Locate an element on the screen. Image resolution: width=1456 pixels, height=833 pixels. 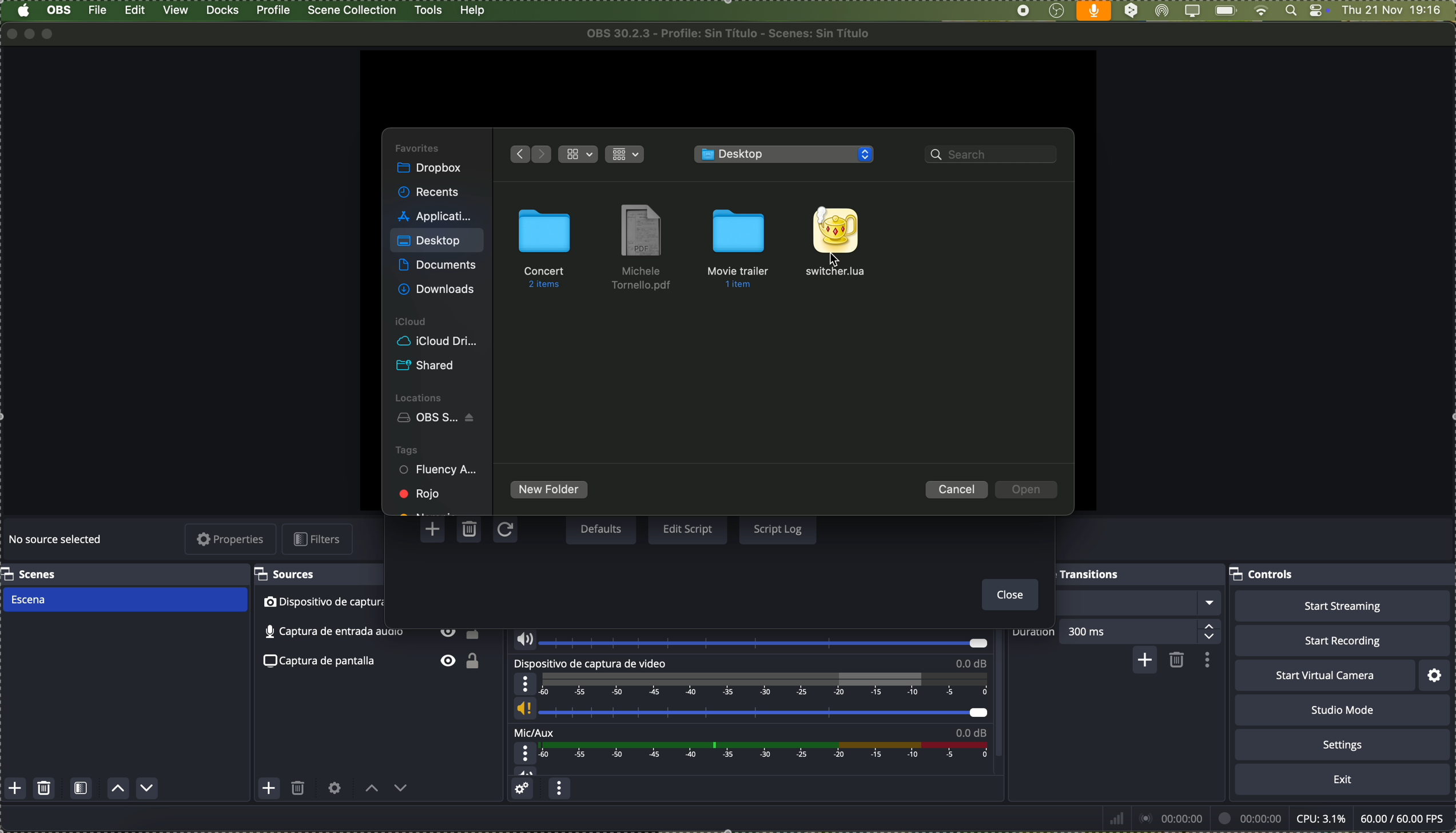
add configurable transition is located at coordinates (1143, 661).